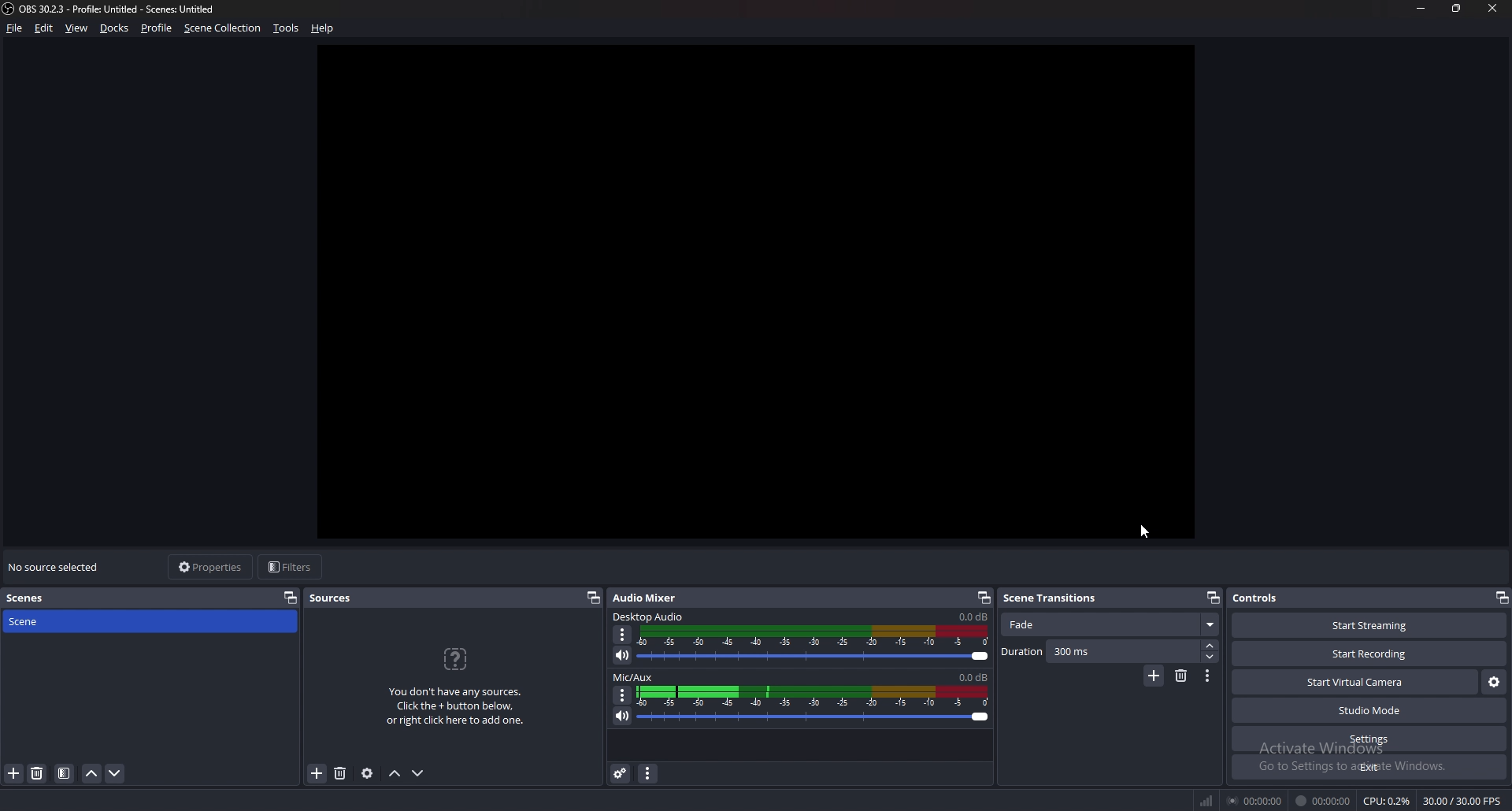  What do you see at coordinates (1493, 683) in the screenshot?
I see `virtual camera settings` at bounding box center [1493, 683].